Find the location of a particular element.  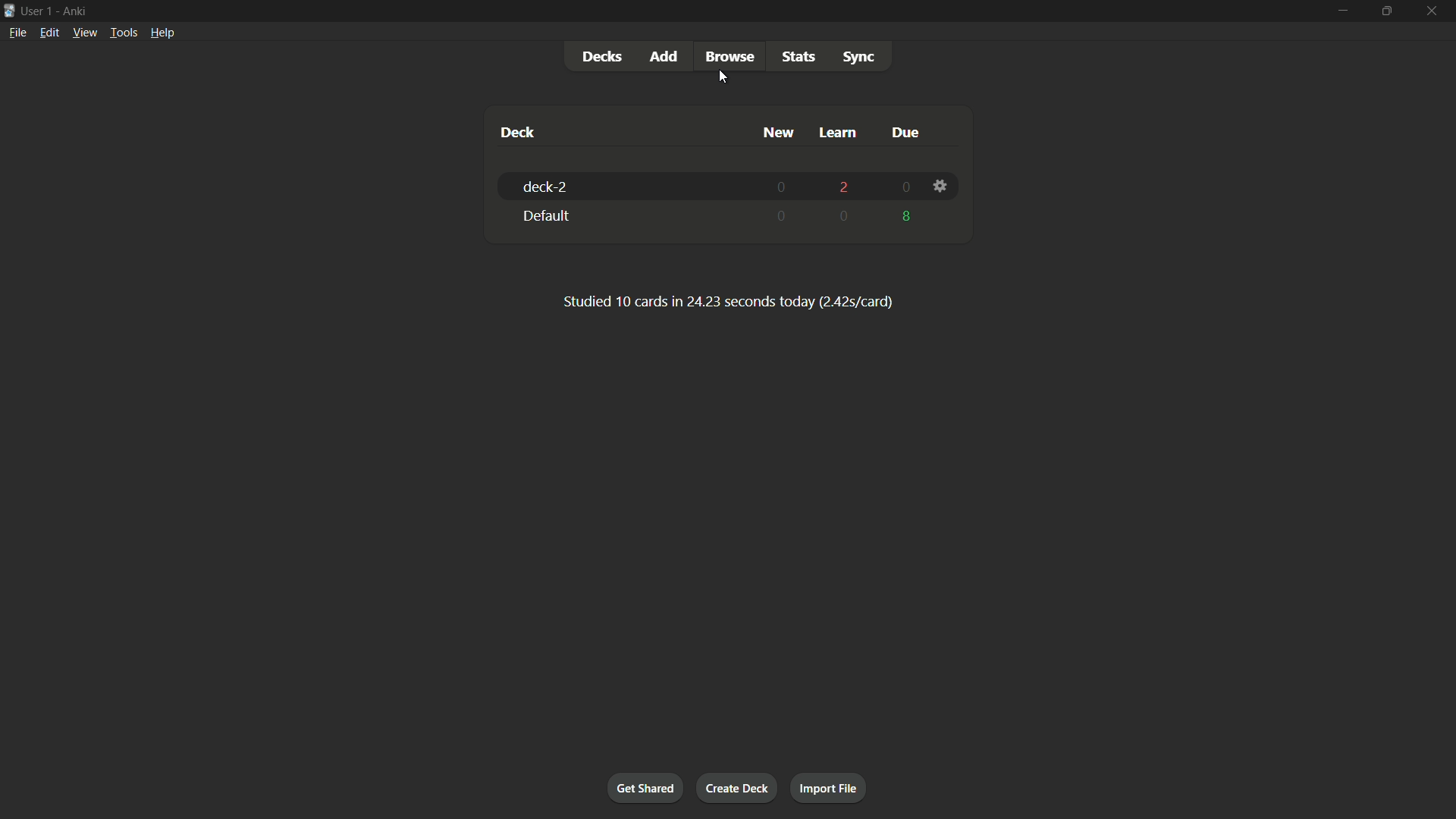

2 is located at coordinates (844, 189).